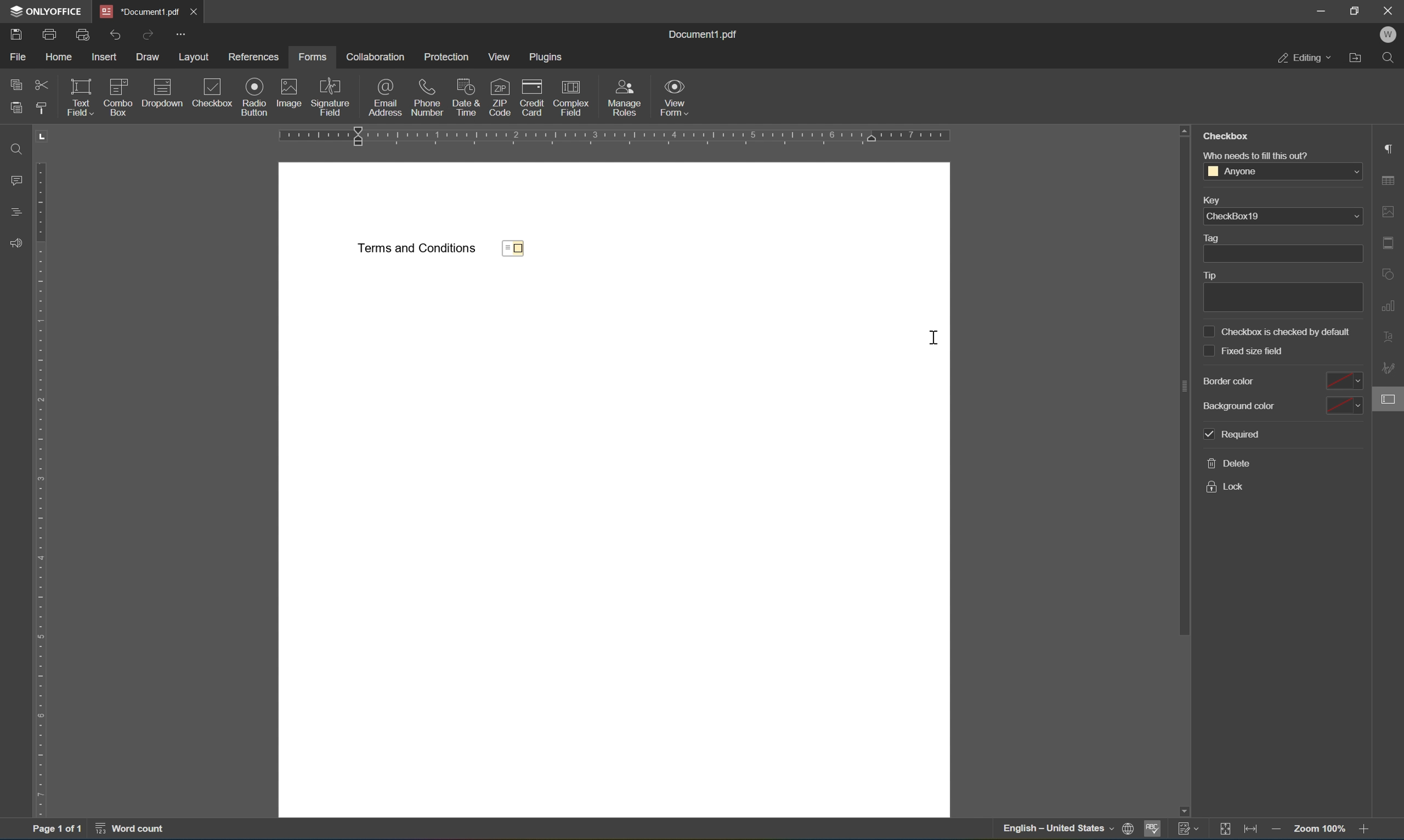 The image size is (1404, 840). Describe the element at coordinates (1392, 180) in the screenshot. I see `table settings` at that location.